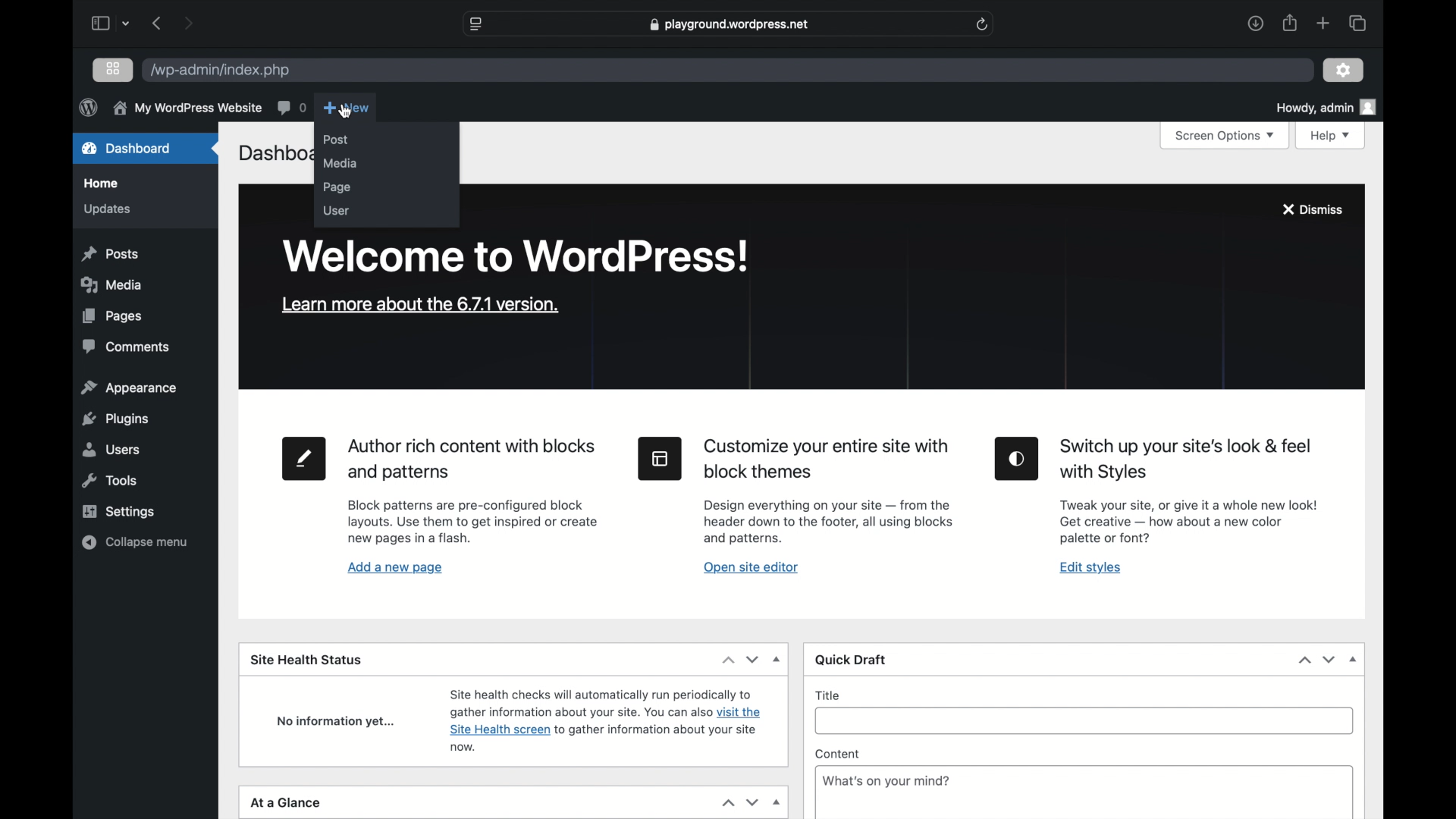 The width and height of the screenshot is (1456, 819). I want to click on stepper button, so click(740, 660).